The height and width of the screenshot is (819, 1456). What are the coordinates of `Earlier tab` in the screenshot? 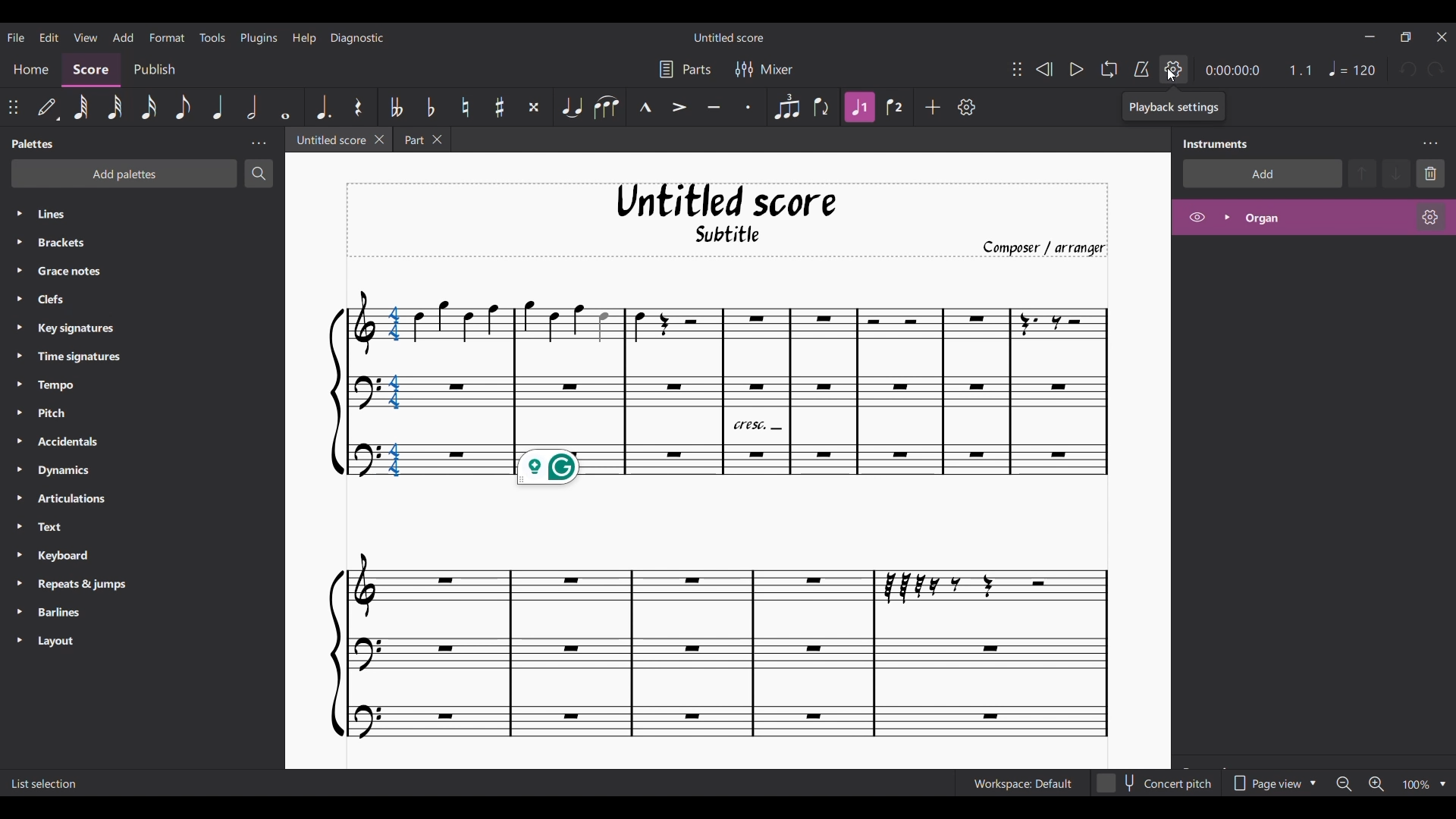 It's located at (422, 139).